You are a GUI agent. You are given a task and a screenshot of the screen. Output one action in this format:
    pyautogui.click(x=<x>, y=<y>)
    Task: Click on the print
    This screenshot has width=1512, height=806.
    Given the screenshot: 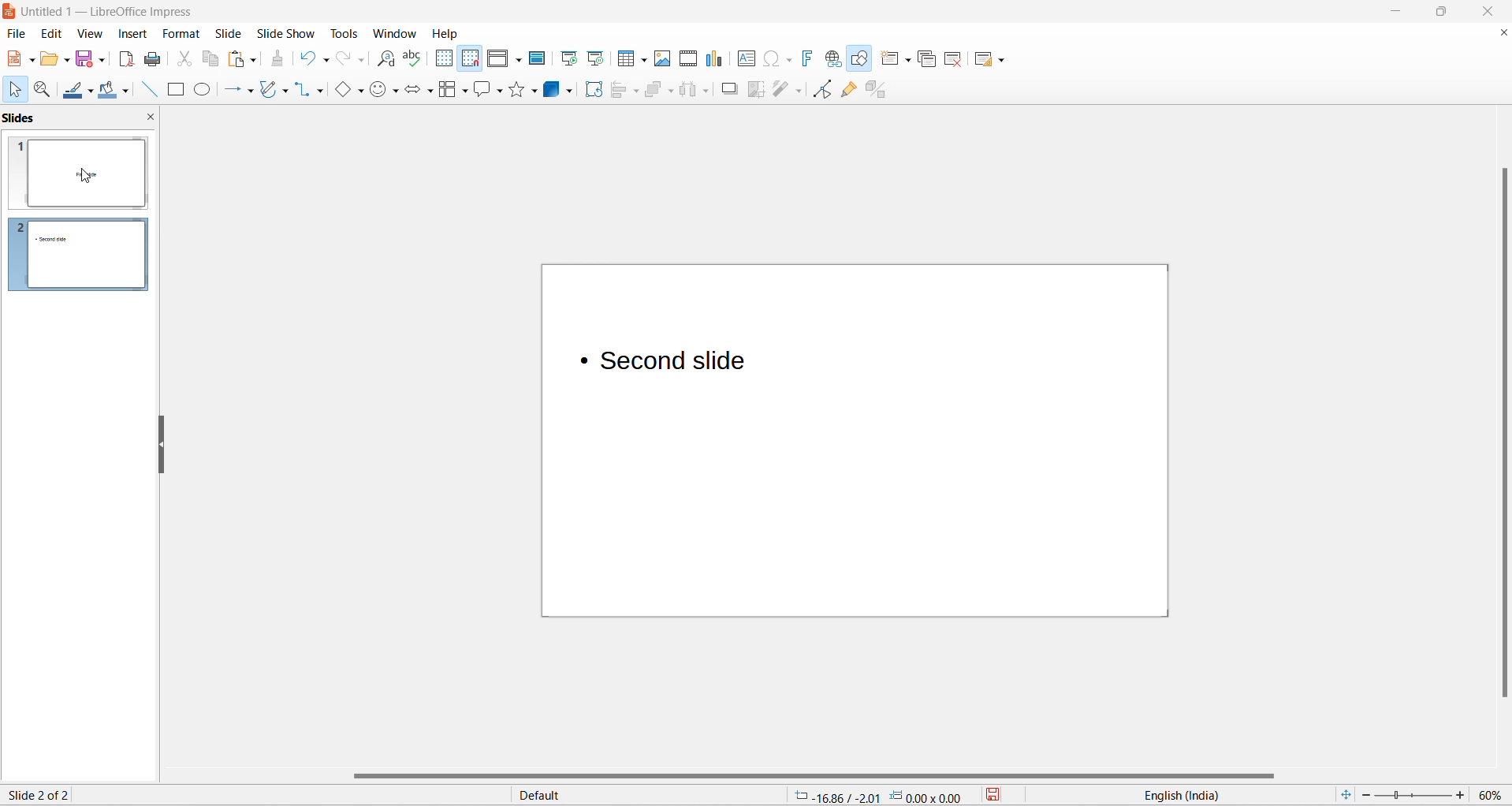 What is the action you would take?
    pyautogui.click(x=155, y=58)
    